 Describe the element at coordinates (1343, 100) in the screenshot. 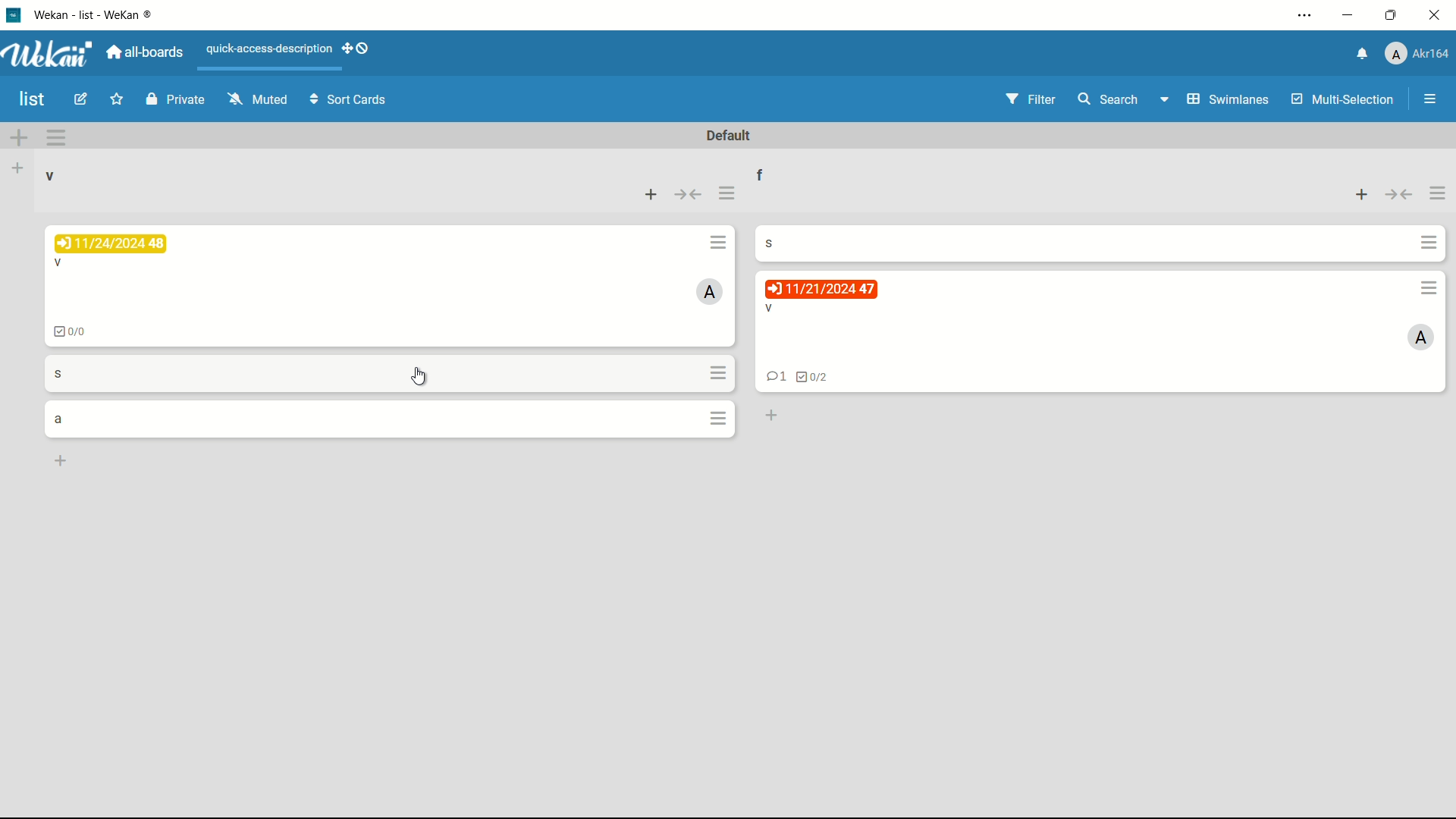

I see `multi-selection` at that location.